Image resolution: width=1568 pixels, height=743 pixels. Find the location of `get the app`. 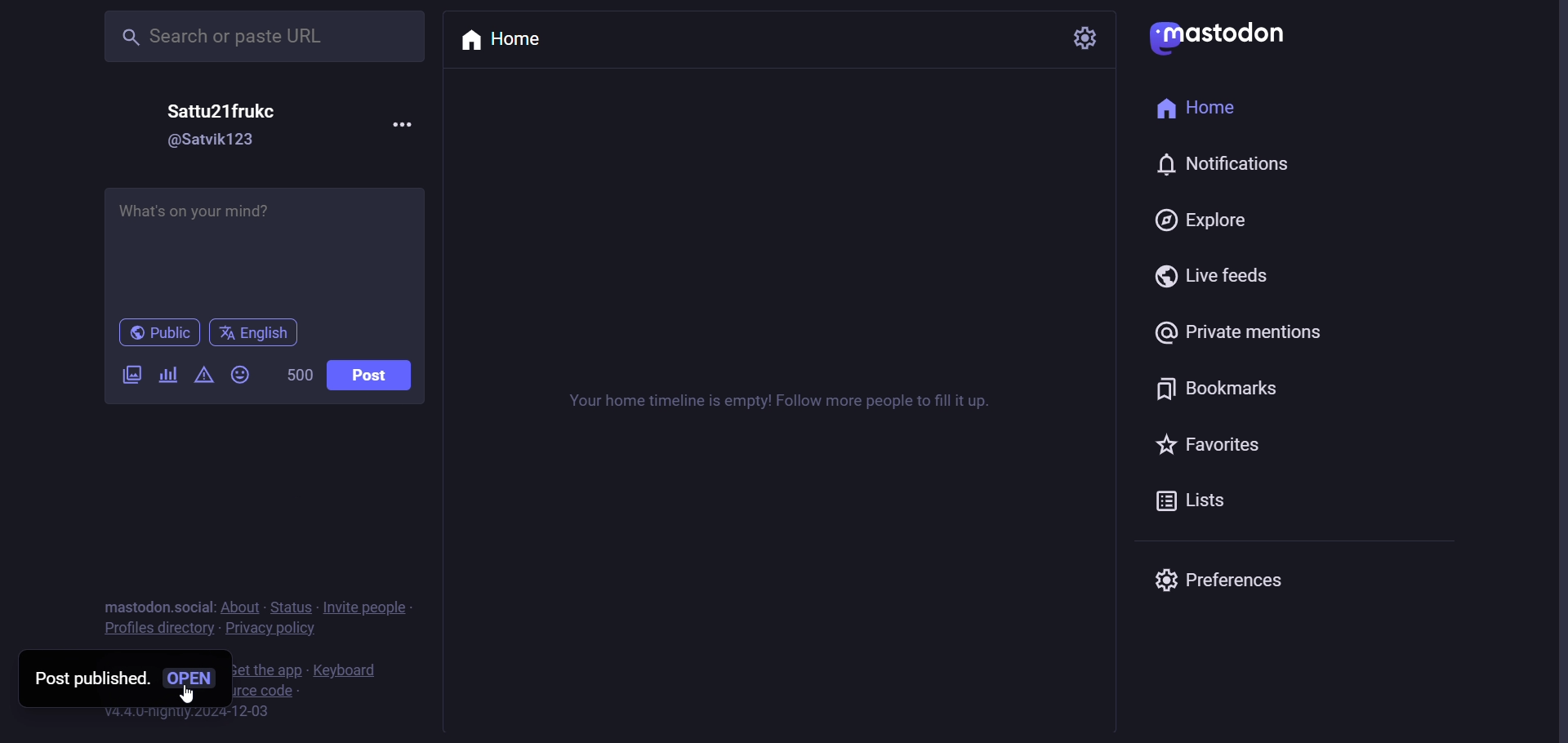

get the app is located at coordinates (269, 669).